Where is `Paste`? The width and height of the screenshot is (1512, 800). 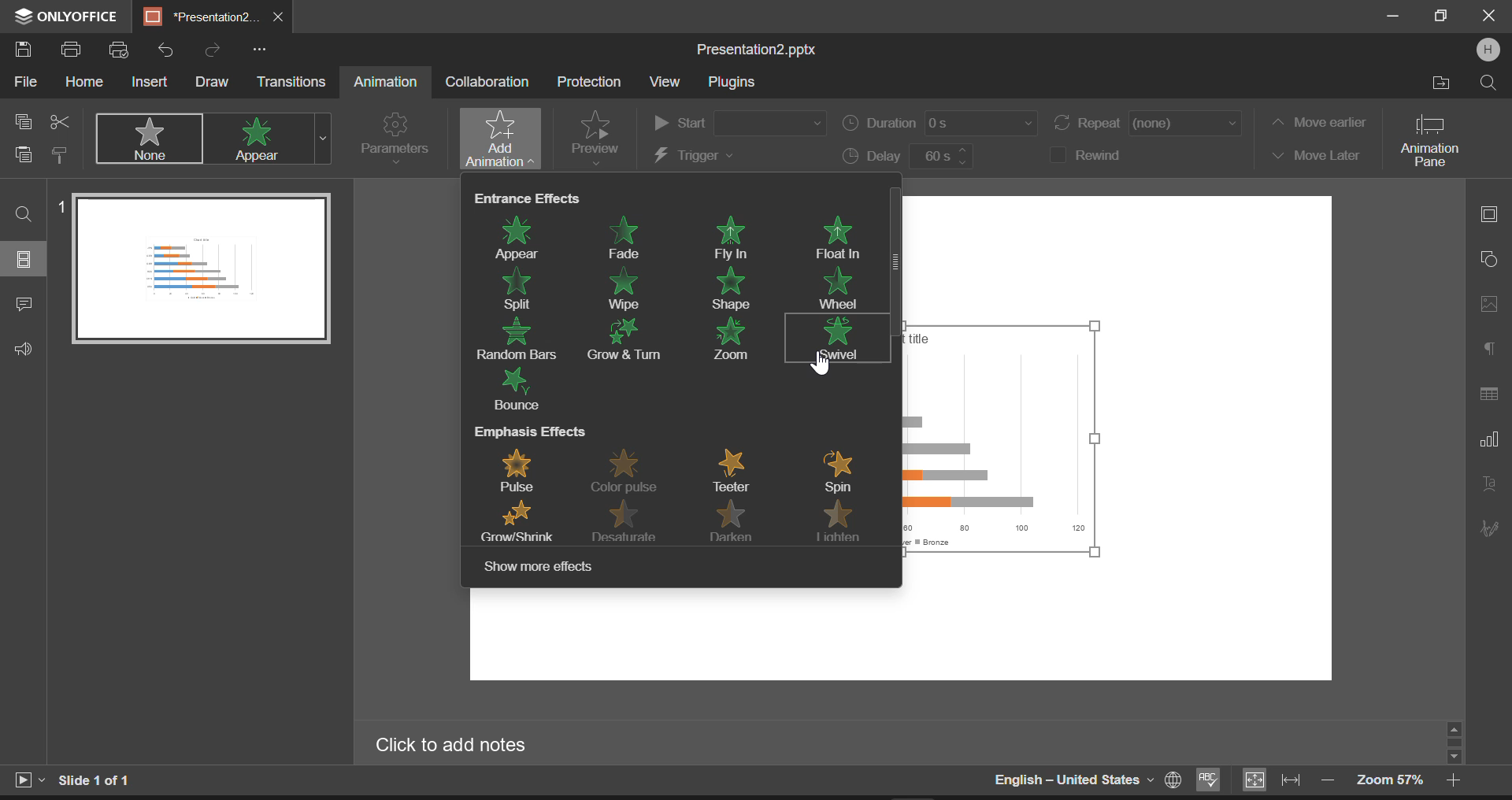
Paste is located at coordinates (24, 157).